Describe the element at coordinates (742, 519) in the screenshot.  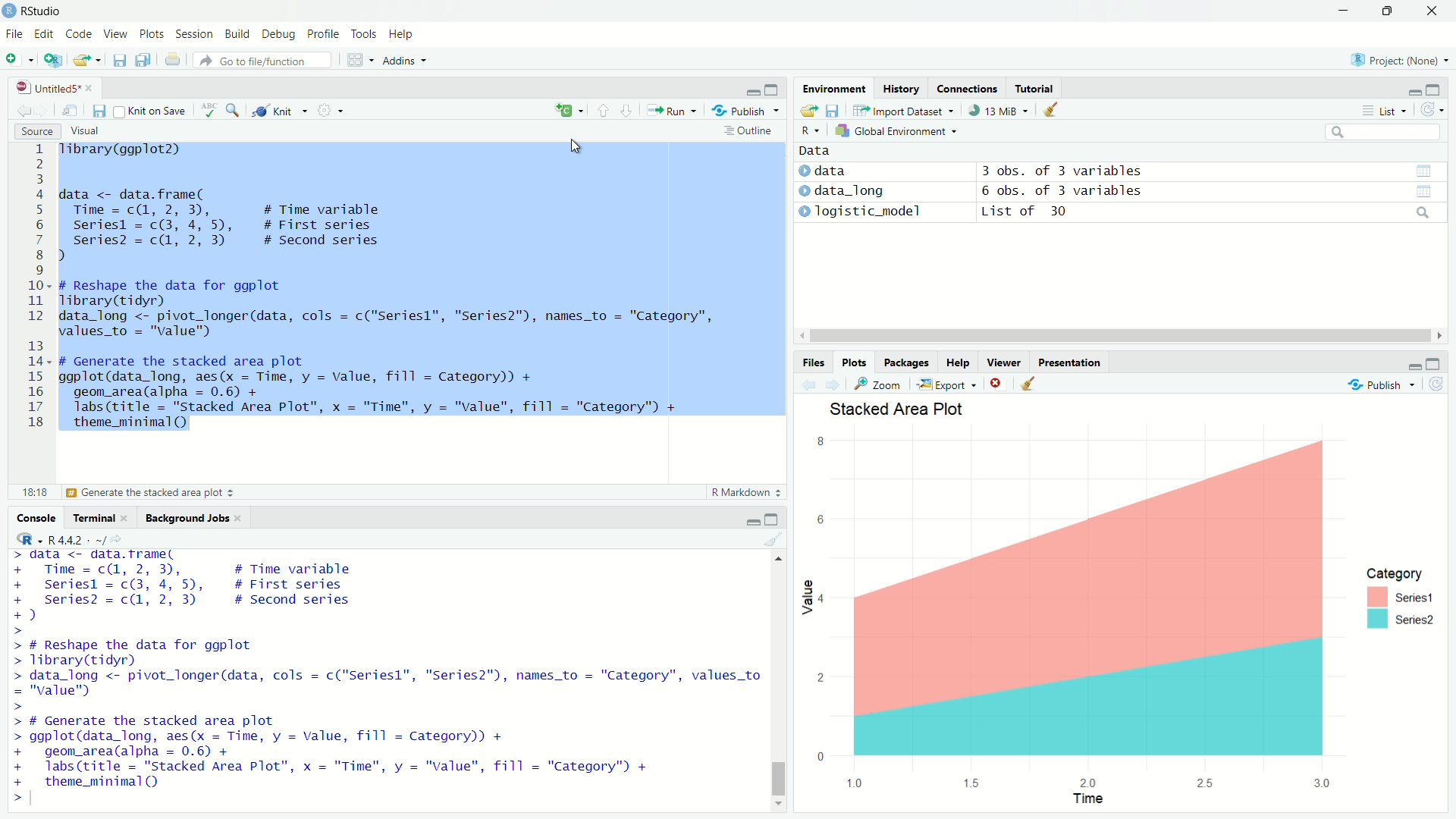
I see `minimise` at that location.